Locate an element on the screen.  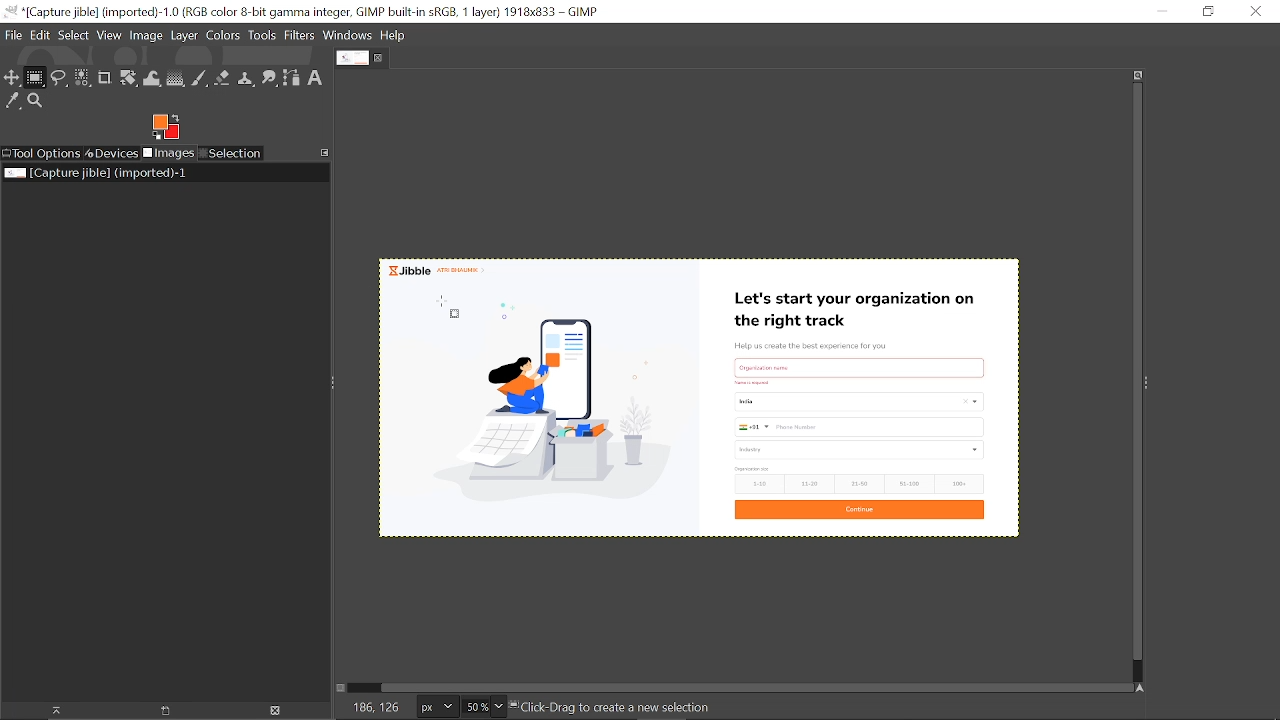
Create new display for this image is located at coordinates (162, 710).